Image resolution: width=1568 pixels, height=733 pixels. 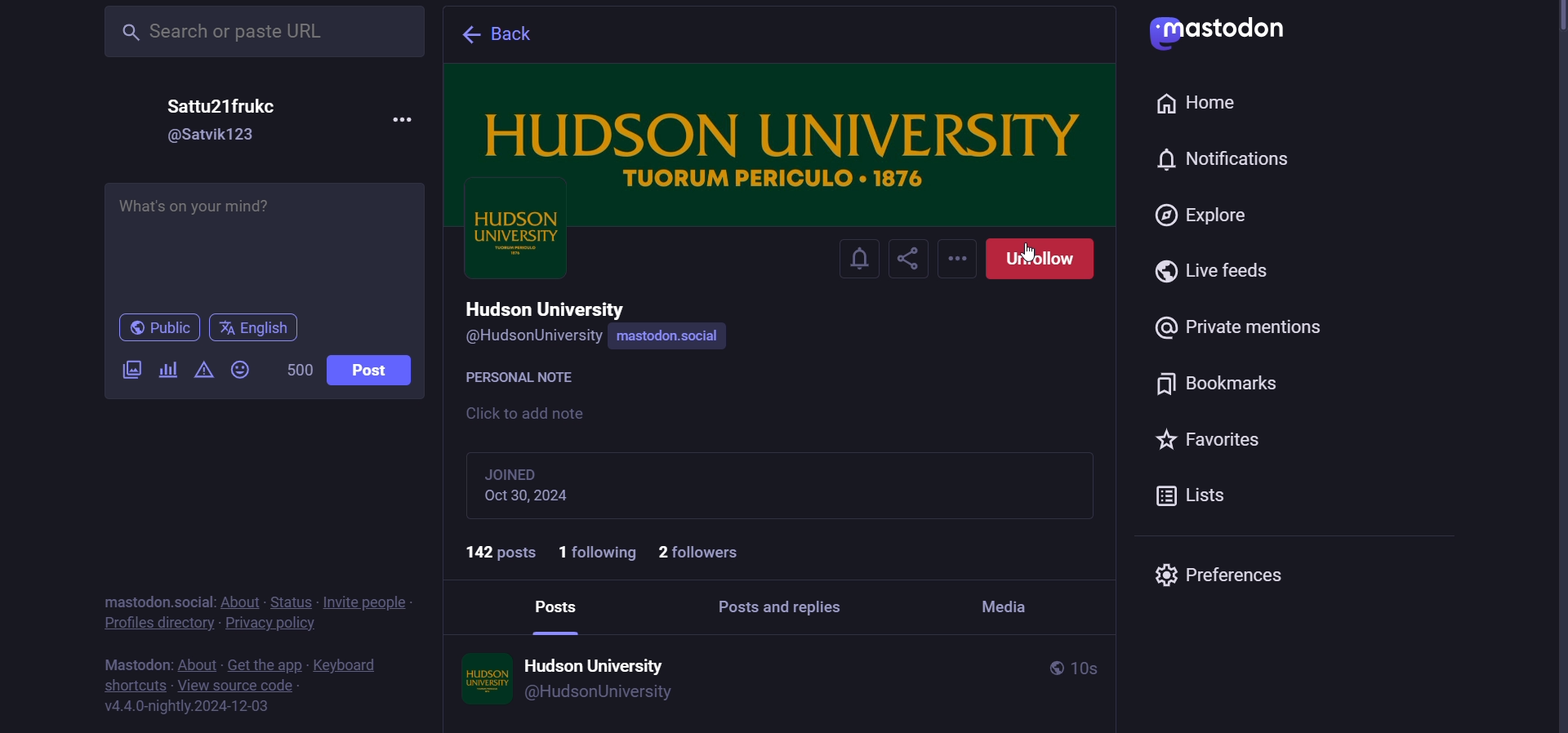 What do you see at coordinates (1245, 330) in the screenshot?
I see `private mention` at bounding box center [1245, 330].